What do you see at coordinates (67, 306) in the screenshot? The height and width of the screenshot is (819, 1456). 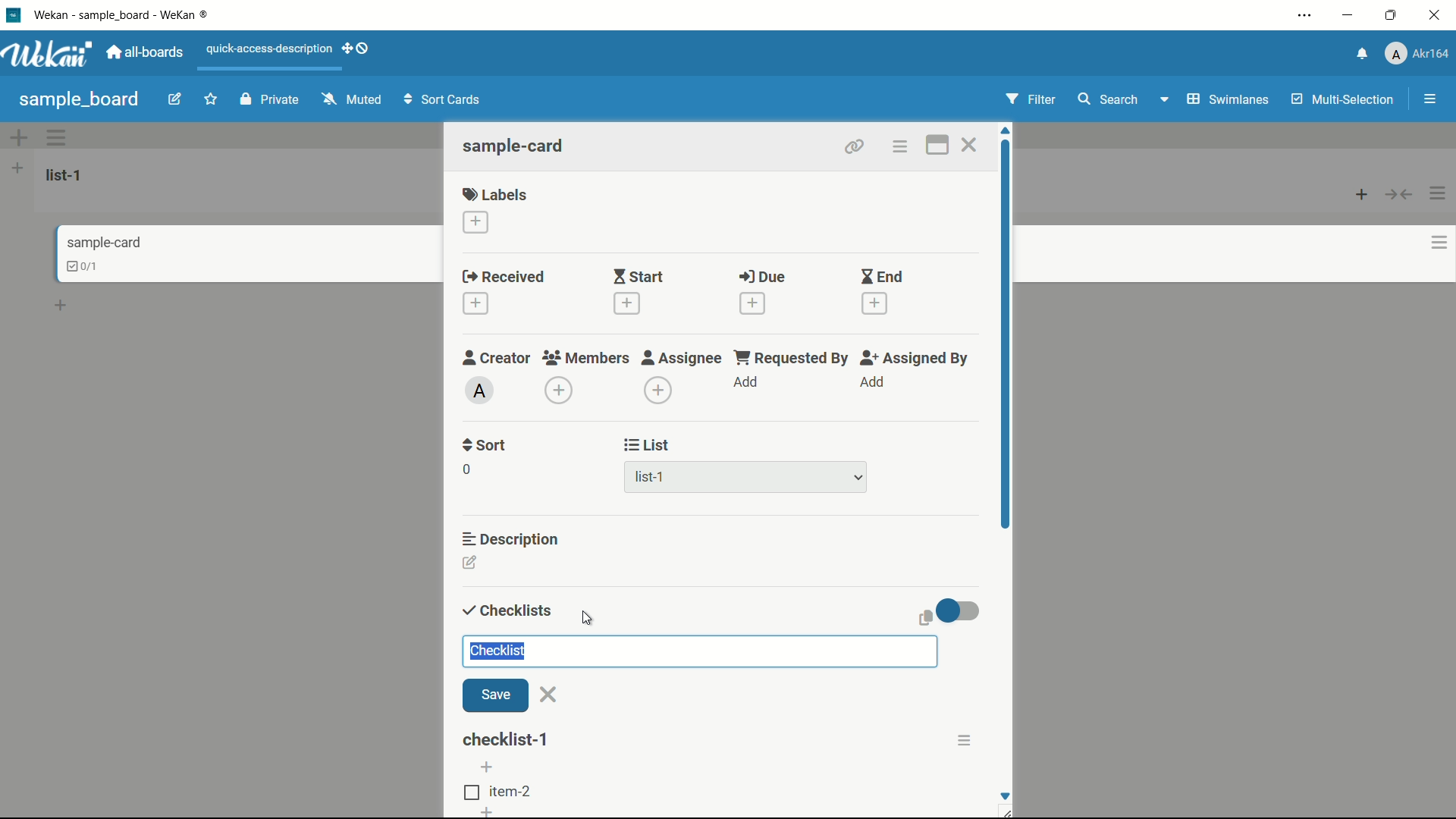 I see `add card bottom` at bounding box center [67, 306].